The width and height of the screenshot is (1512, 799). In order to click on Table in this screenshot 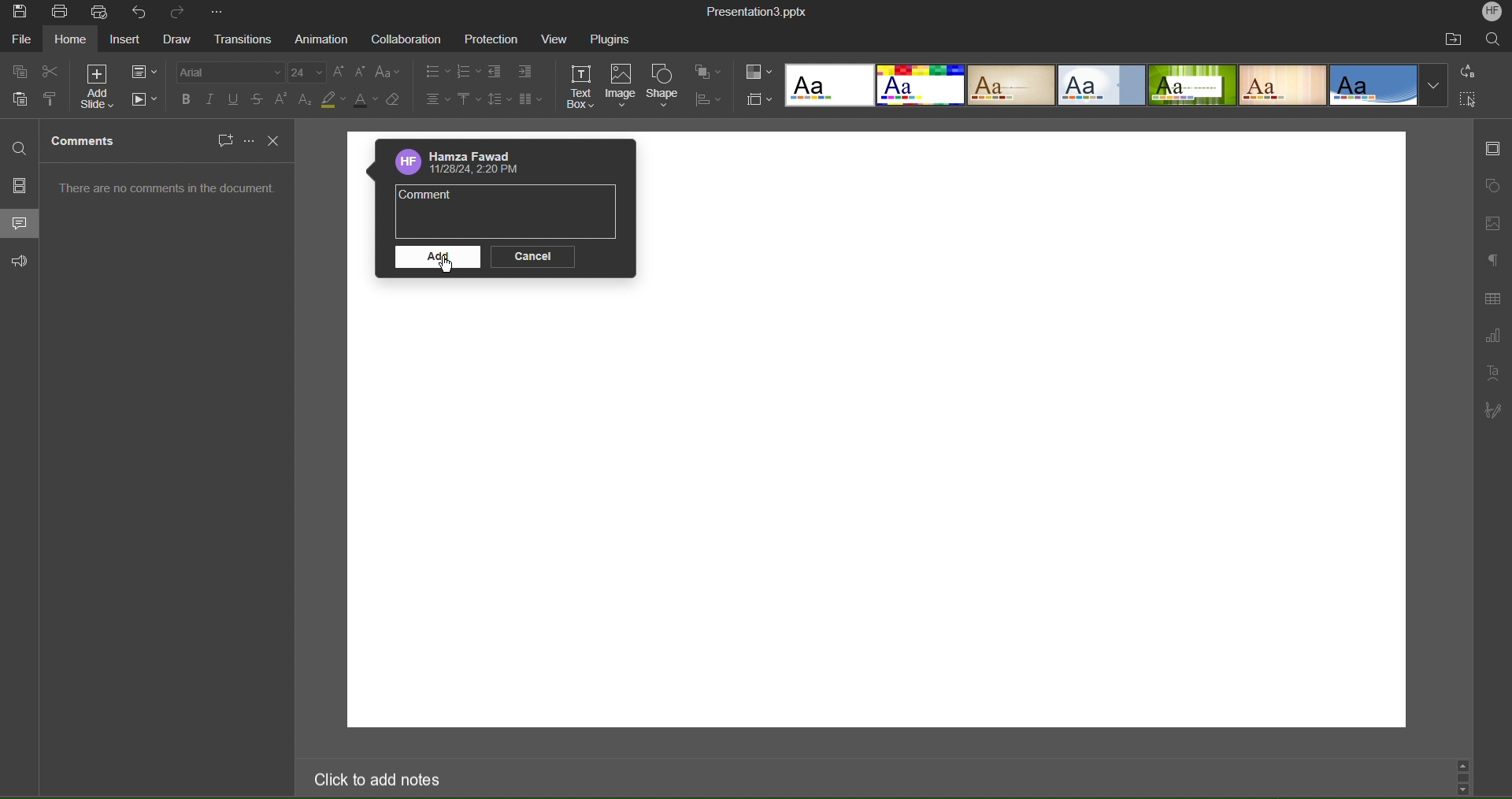, I will do `click(1495, 300)`.